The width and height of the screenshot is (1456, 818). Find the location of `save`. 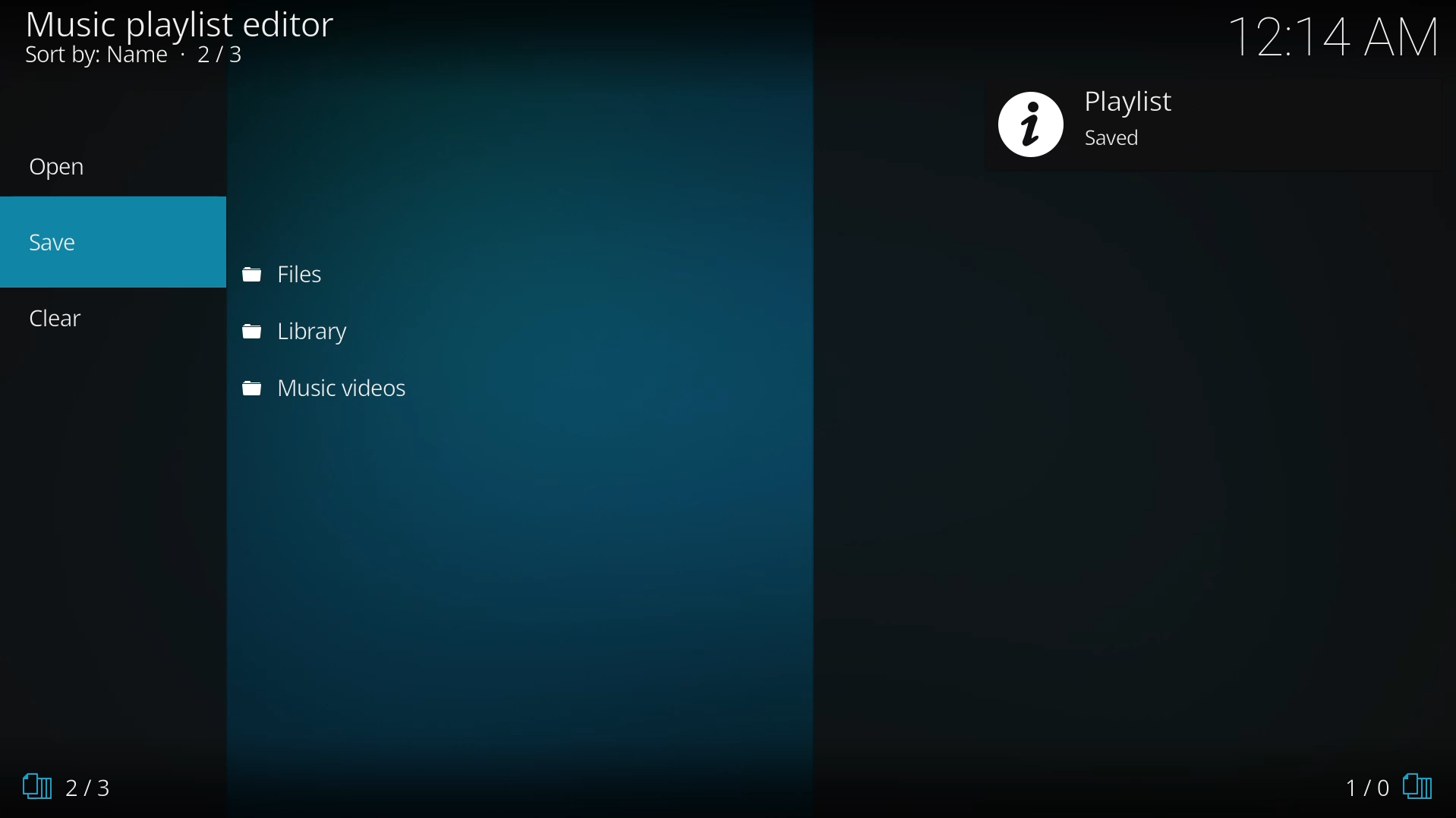

save is located at coordinates (57, 240).